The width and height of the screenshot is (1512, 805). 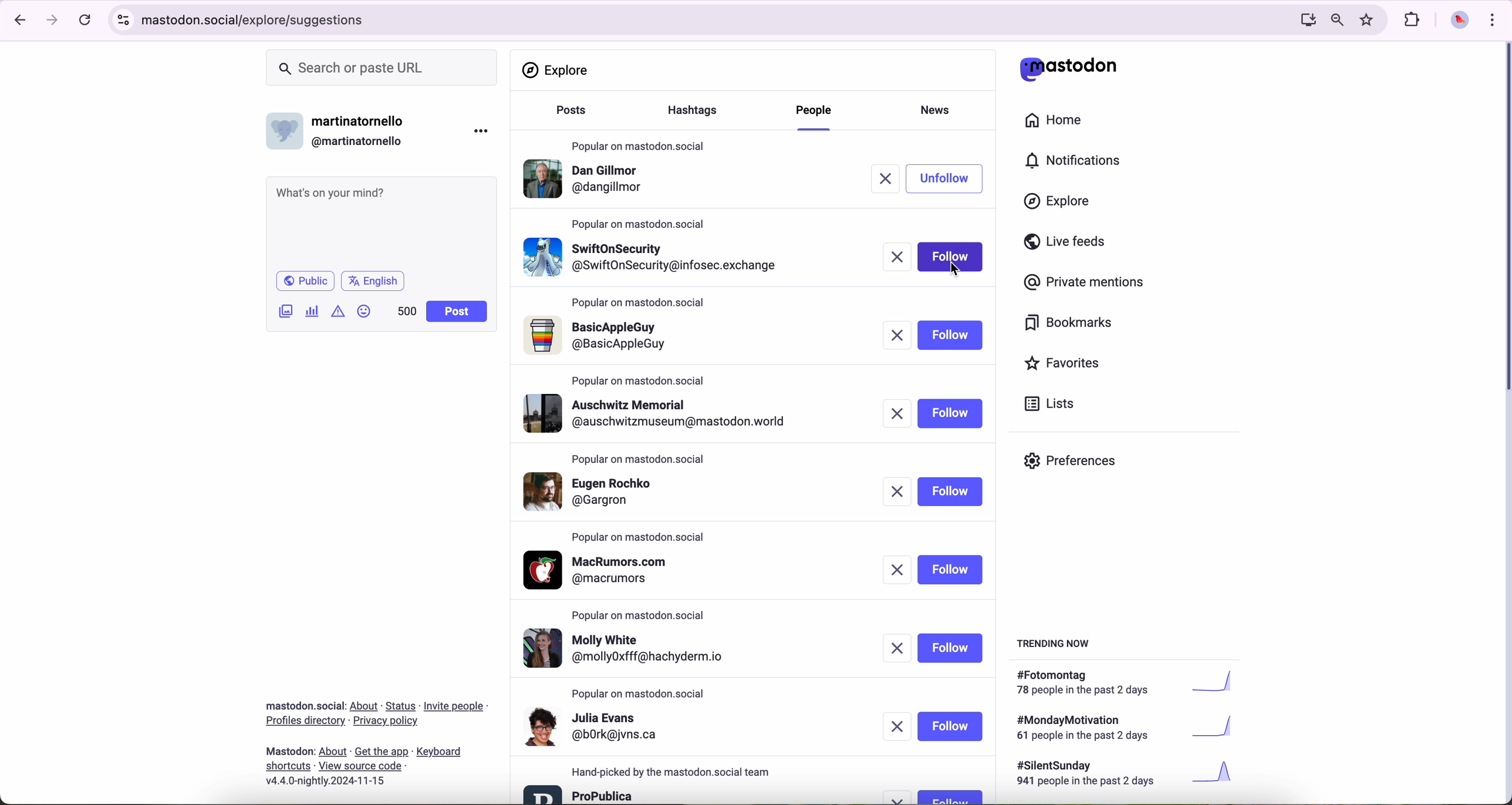 I want to click on popular on mastodon.social, so click(x=644, y=613).